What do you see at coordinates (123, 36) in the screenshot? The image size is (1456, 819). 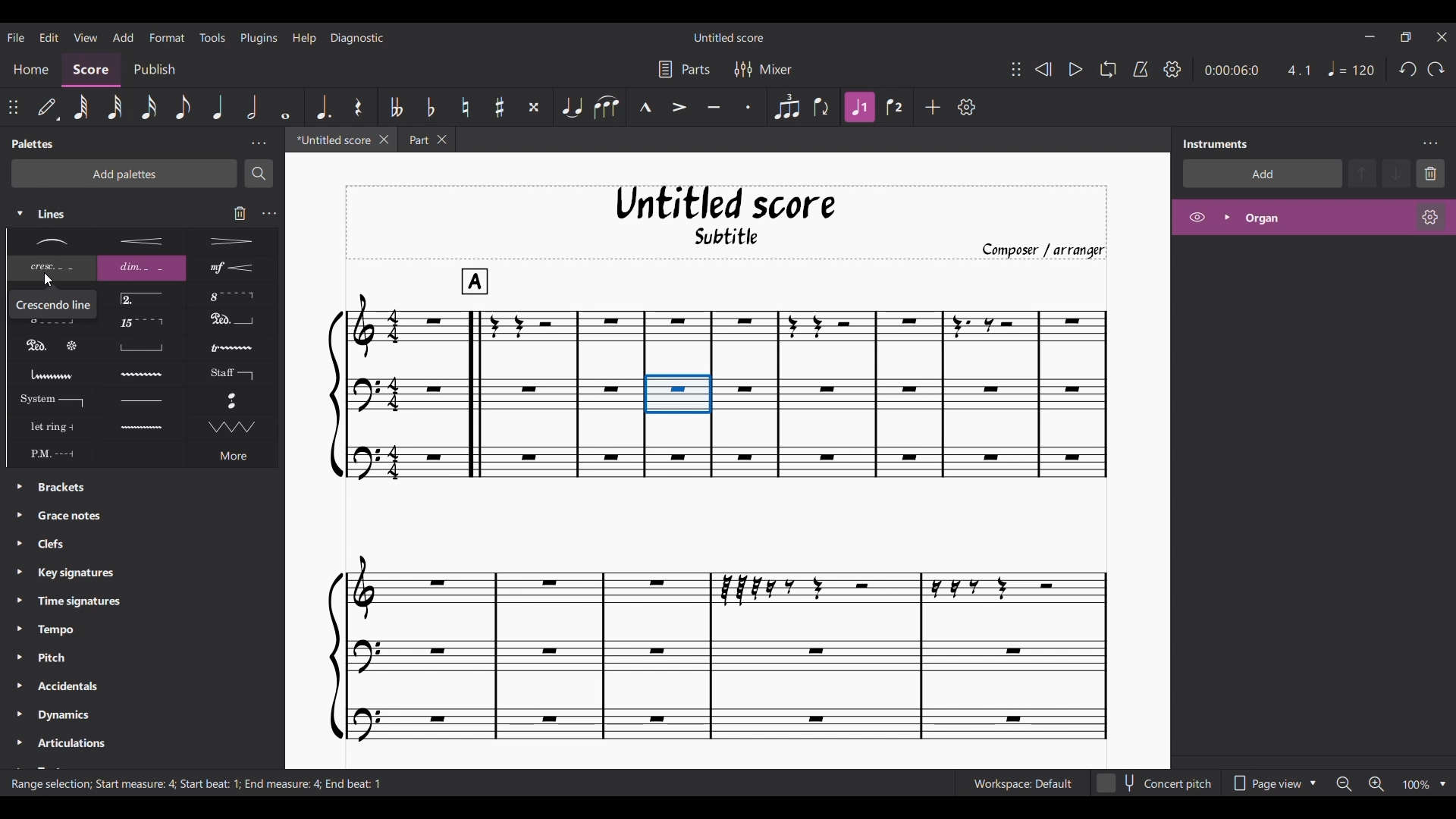 I see `Add menu` at bounding box center [123, 36].